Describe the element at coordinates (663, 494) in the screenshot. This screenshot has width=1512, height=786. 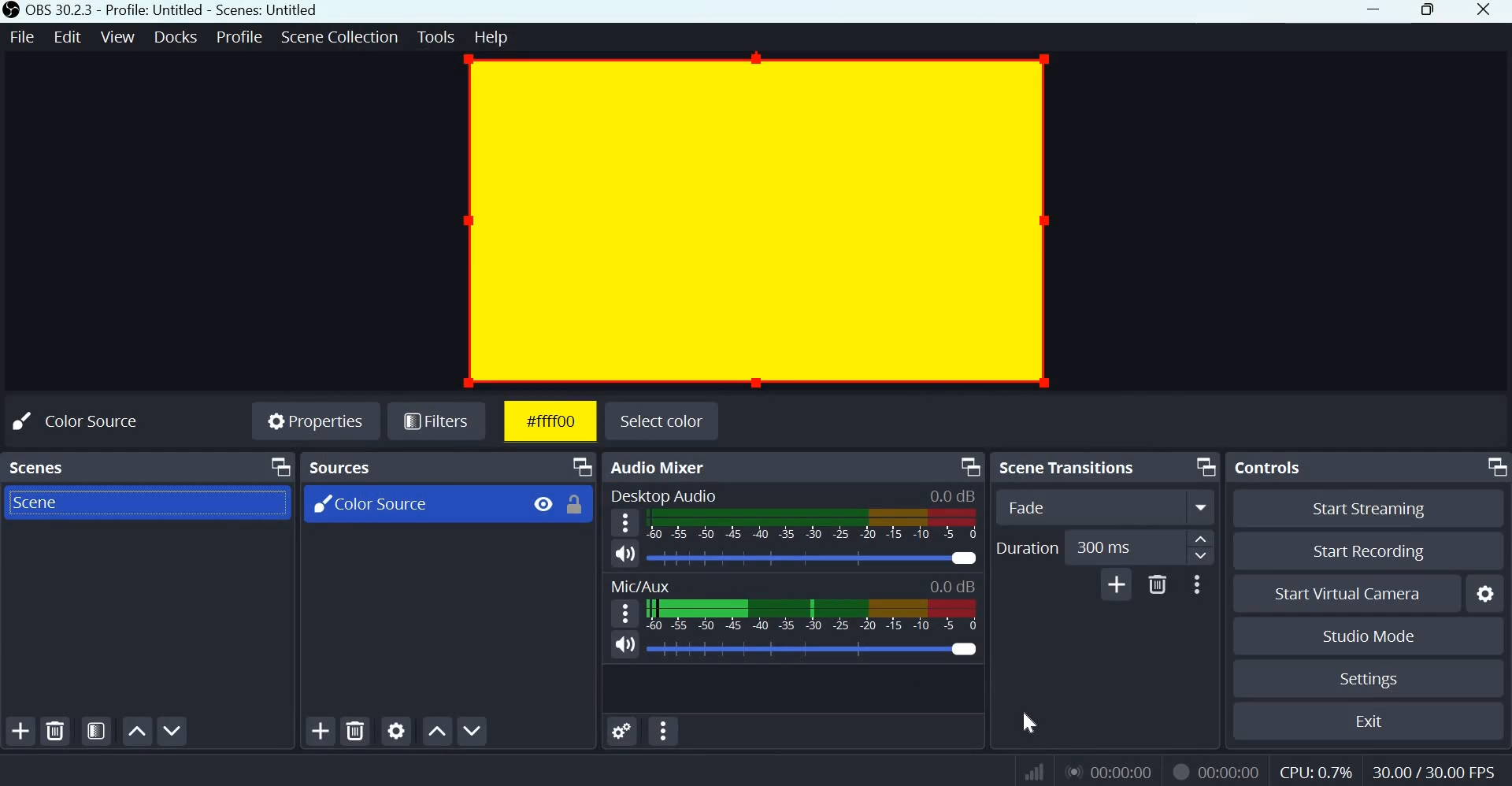
I see `Desktop Audio` at that location.